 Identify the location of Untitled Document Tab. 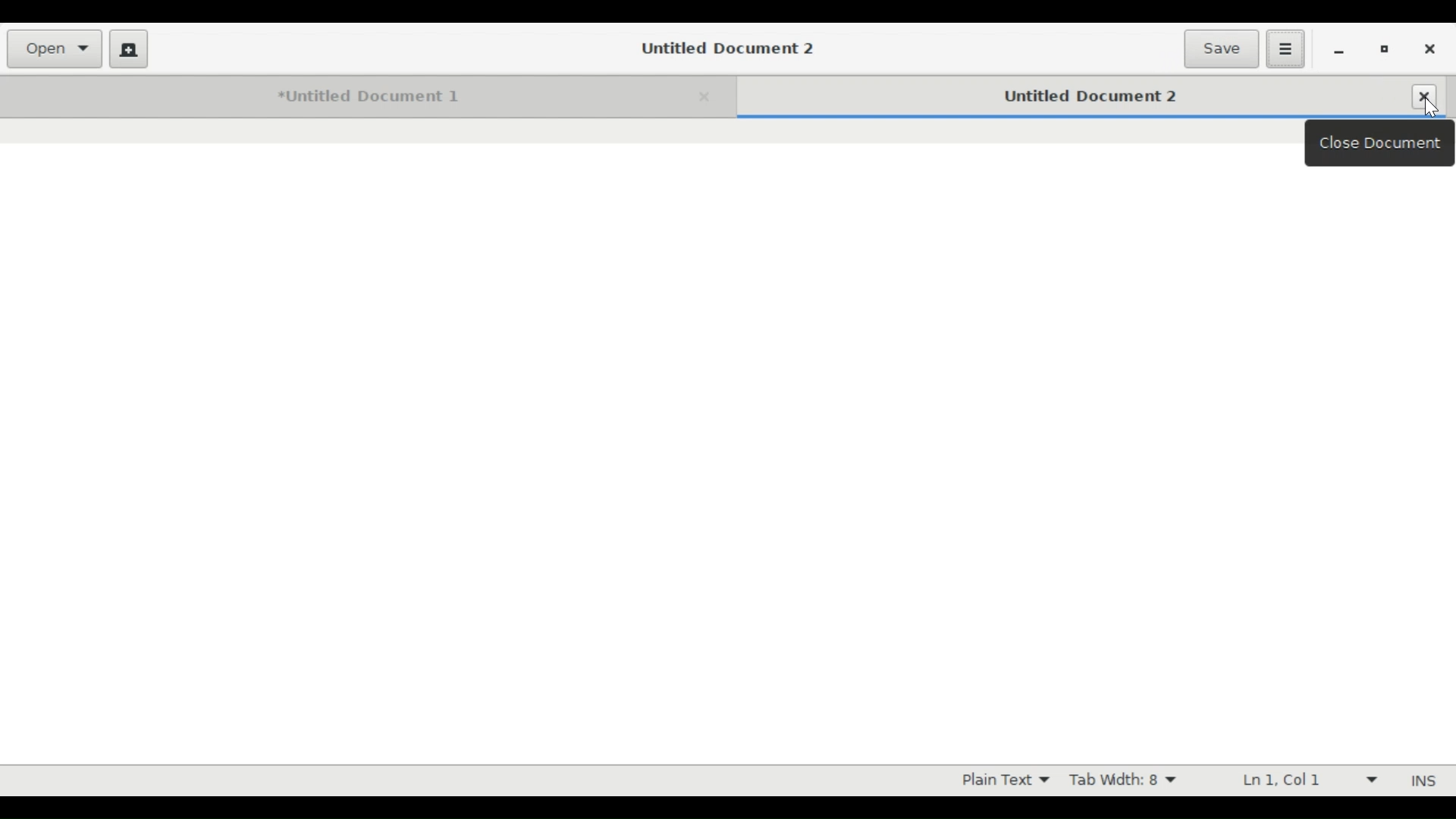
(1070, 96).